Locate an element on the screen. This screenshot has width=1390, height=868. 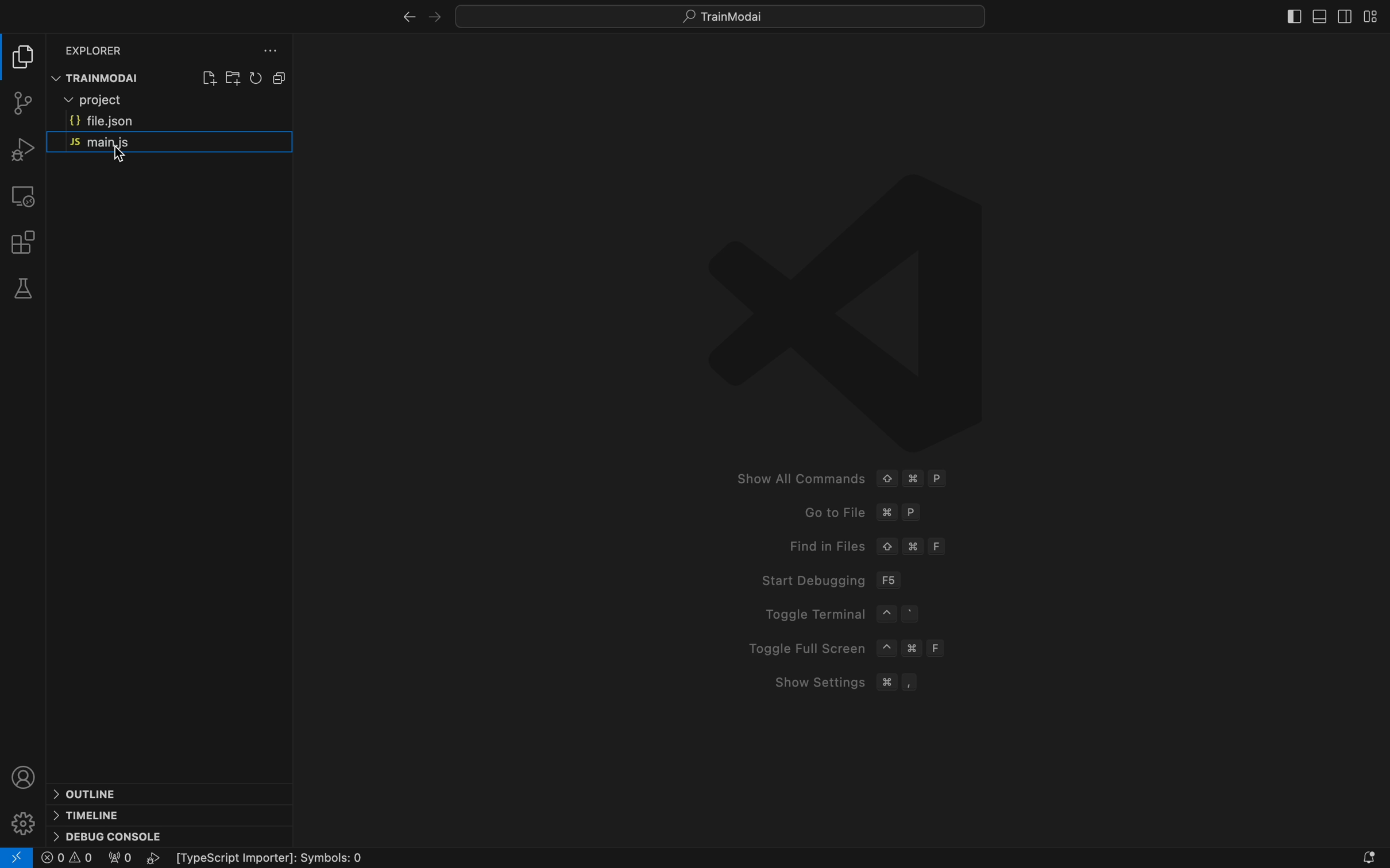
debug console is located at coordinates (109, 835).